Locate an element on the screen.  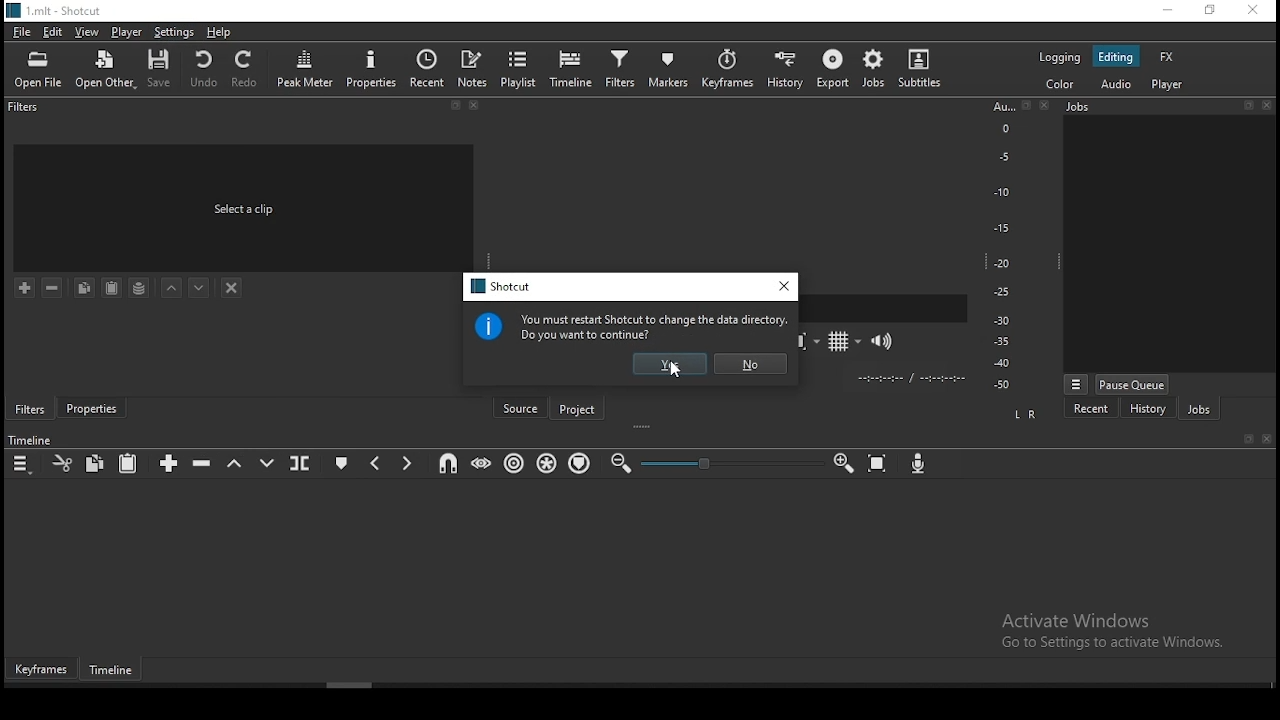
move up is located at coordinates (201, 288).